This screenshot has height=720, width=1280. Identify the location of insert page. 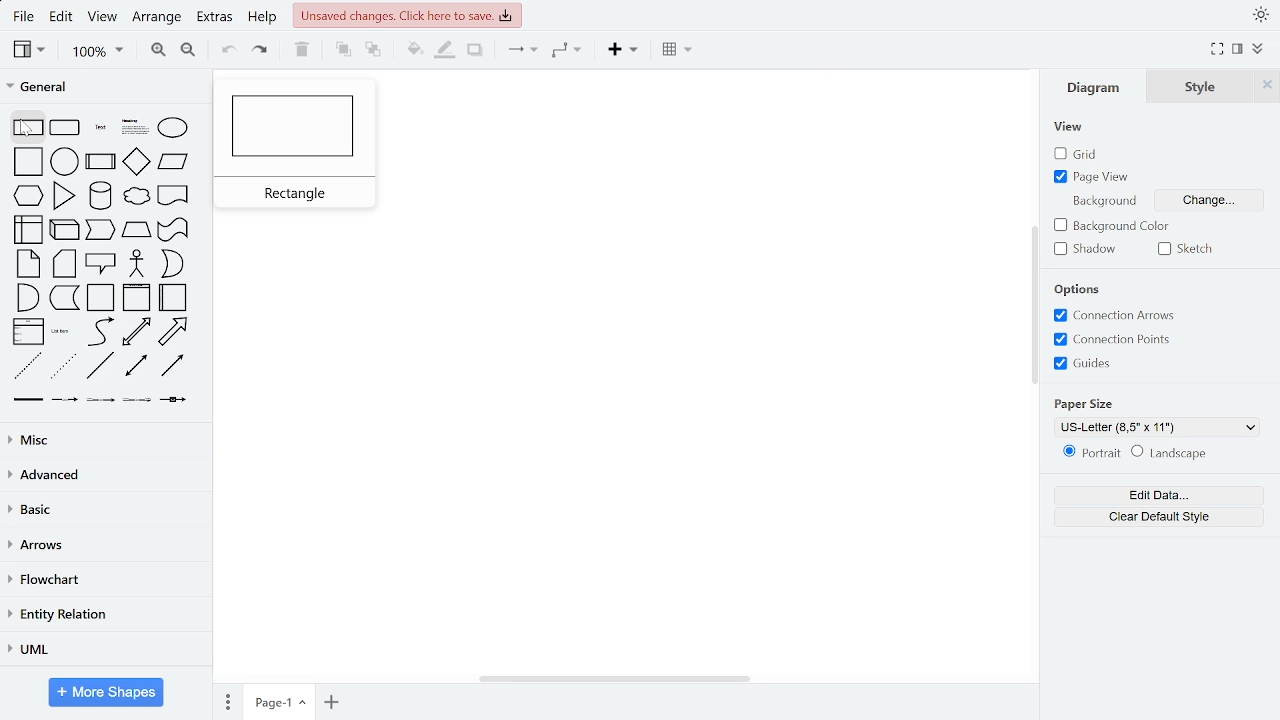
(333, 702).